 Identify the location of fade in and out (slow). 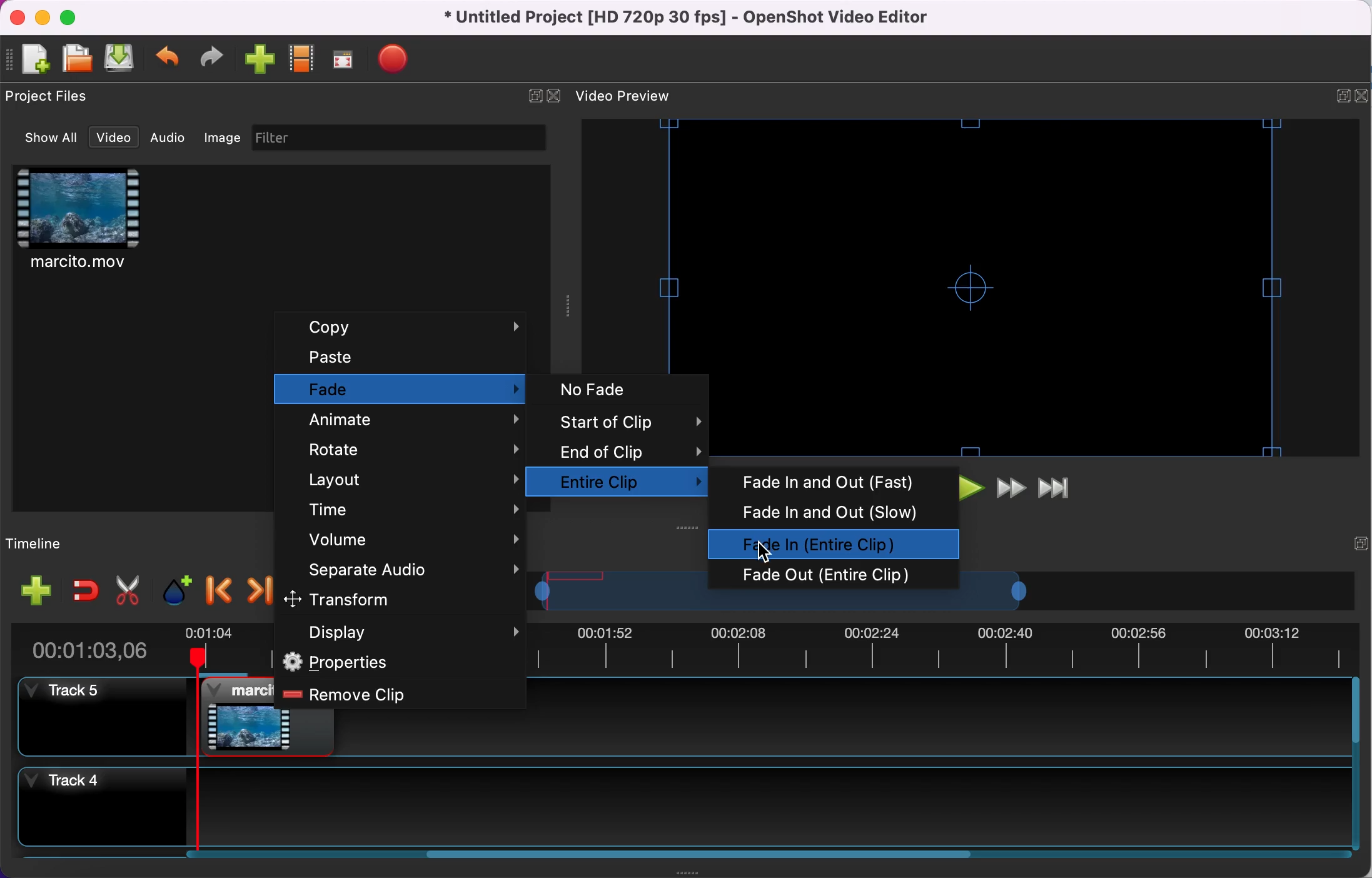
(834, 512).